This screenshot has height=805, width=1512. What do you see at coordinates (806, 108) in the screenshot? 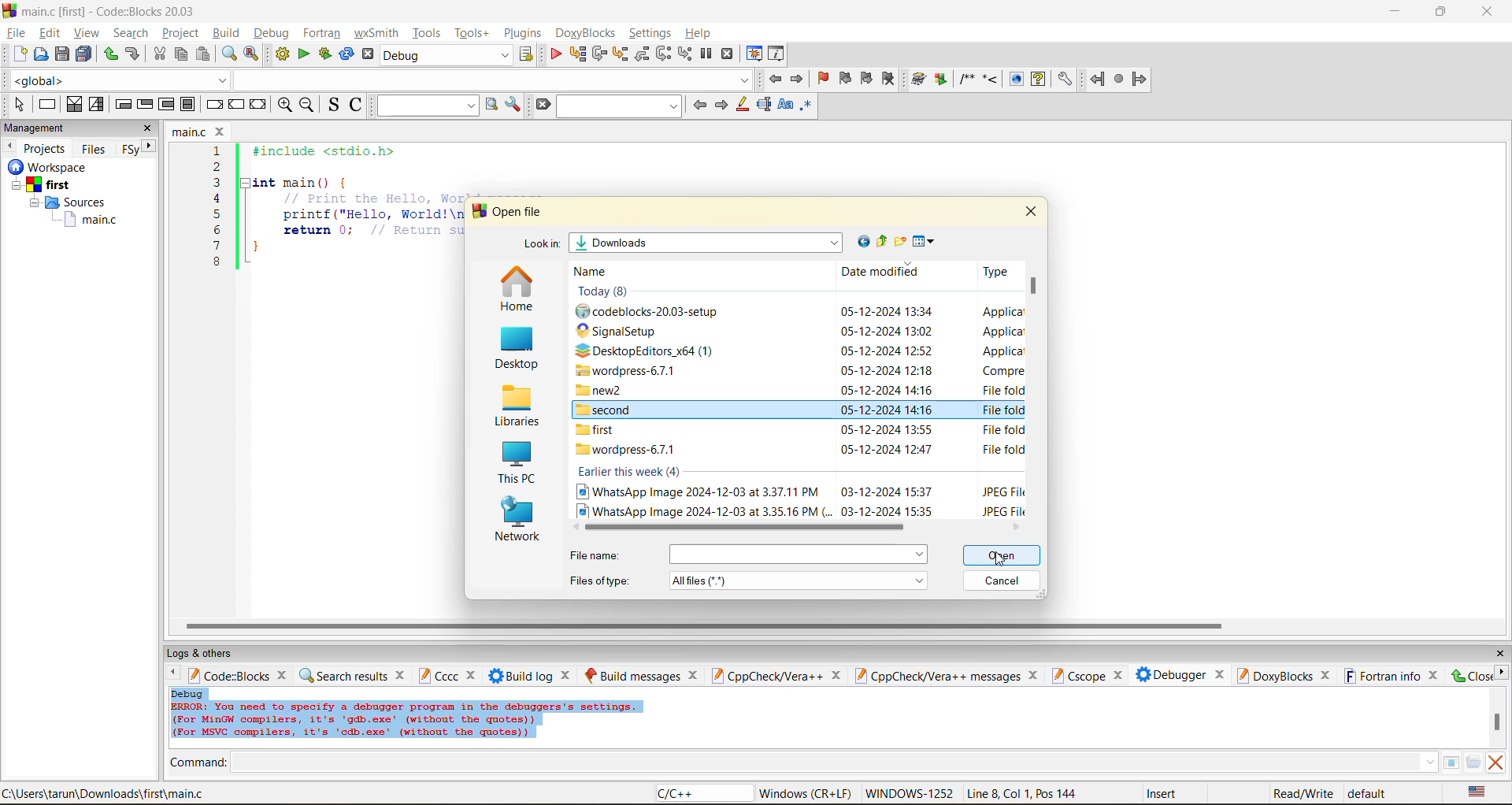
I see `use regex` at bounding box center [806, 108].